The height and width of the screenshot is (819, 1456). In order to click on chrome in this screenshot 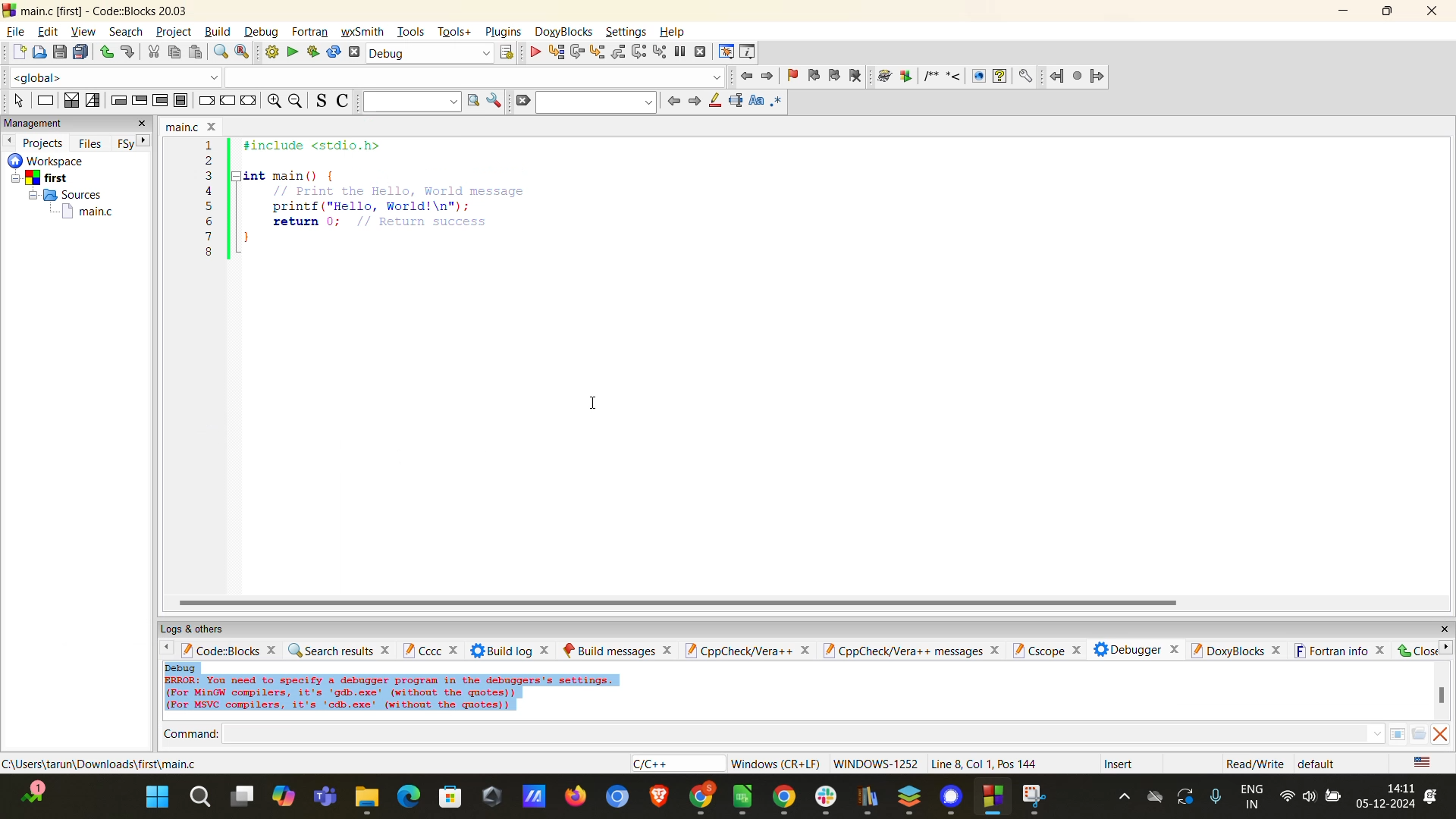, I will do `click(784, 800)`.